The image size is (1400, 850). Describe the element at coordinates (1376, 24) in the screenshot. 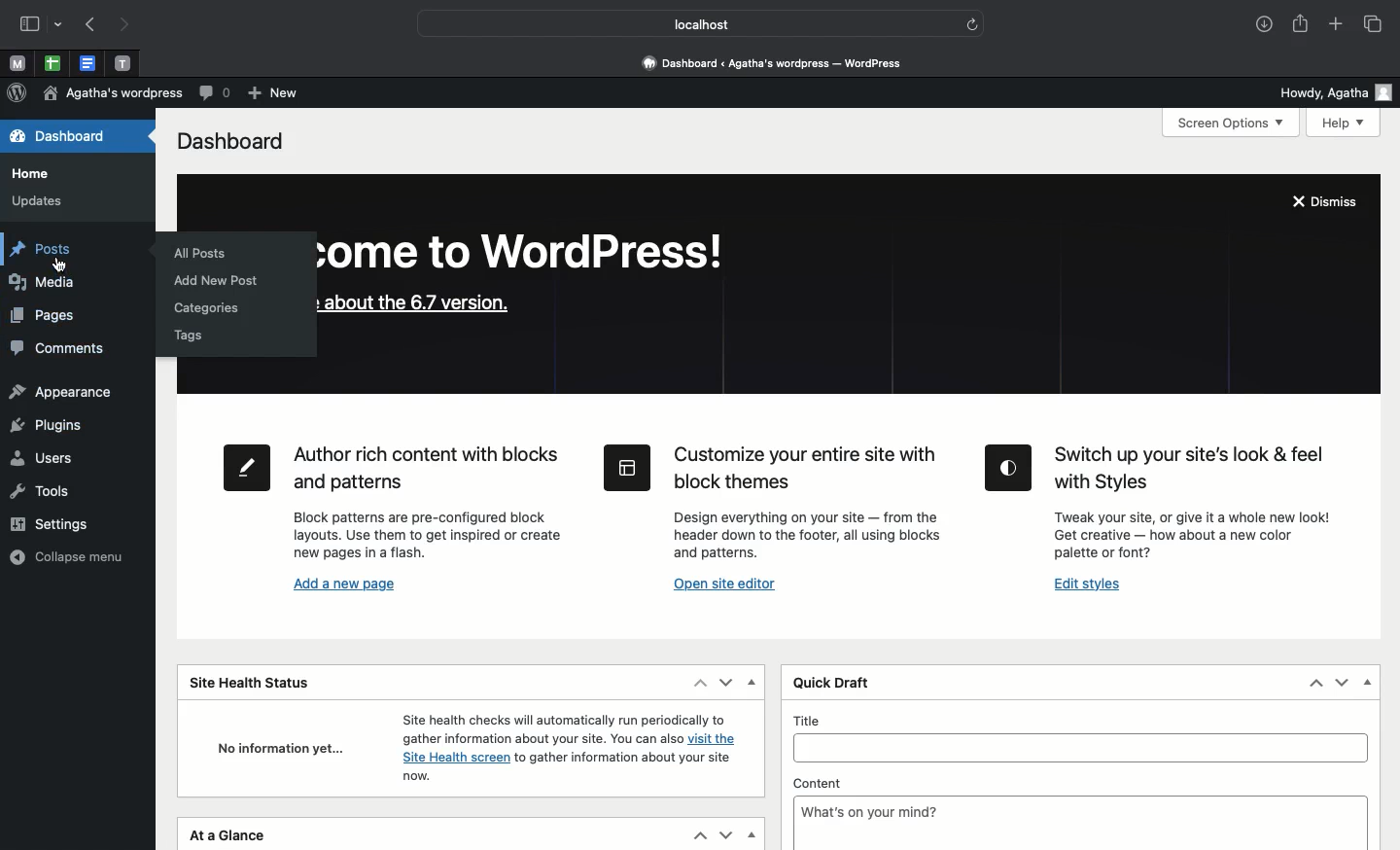

I see `Tabs` at that location.